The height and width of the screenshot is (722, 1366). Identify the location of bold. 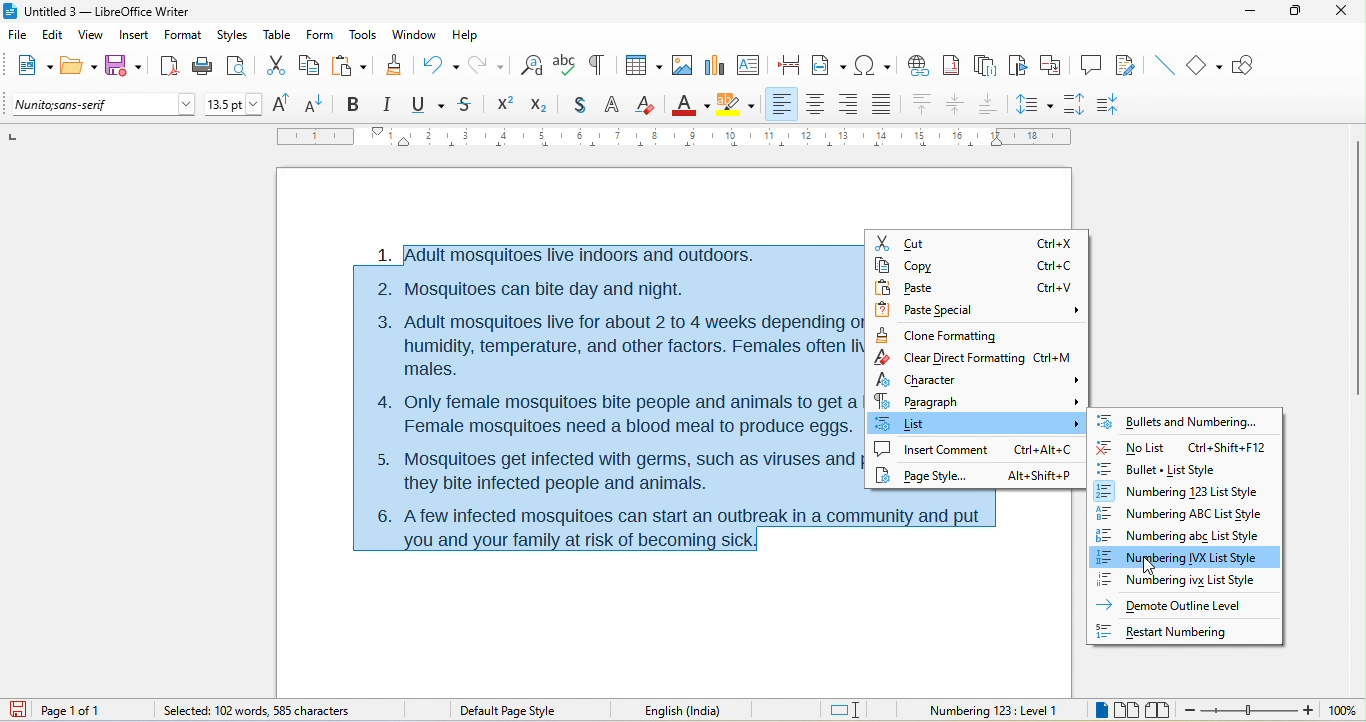
(355, 103).